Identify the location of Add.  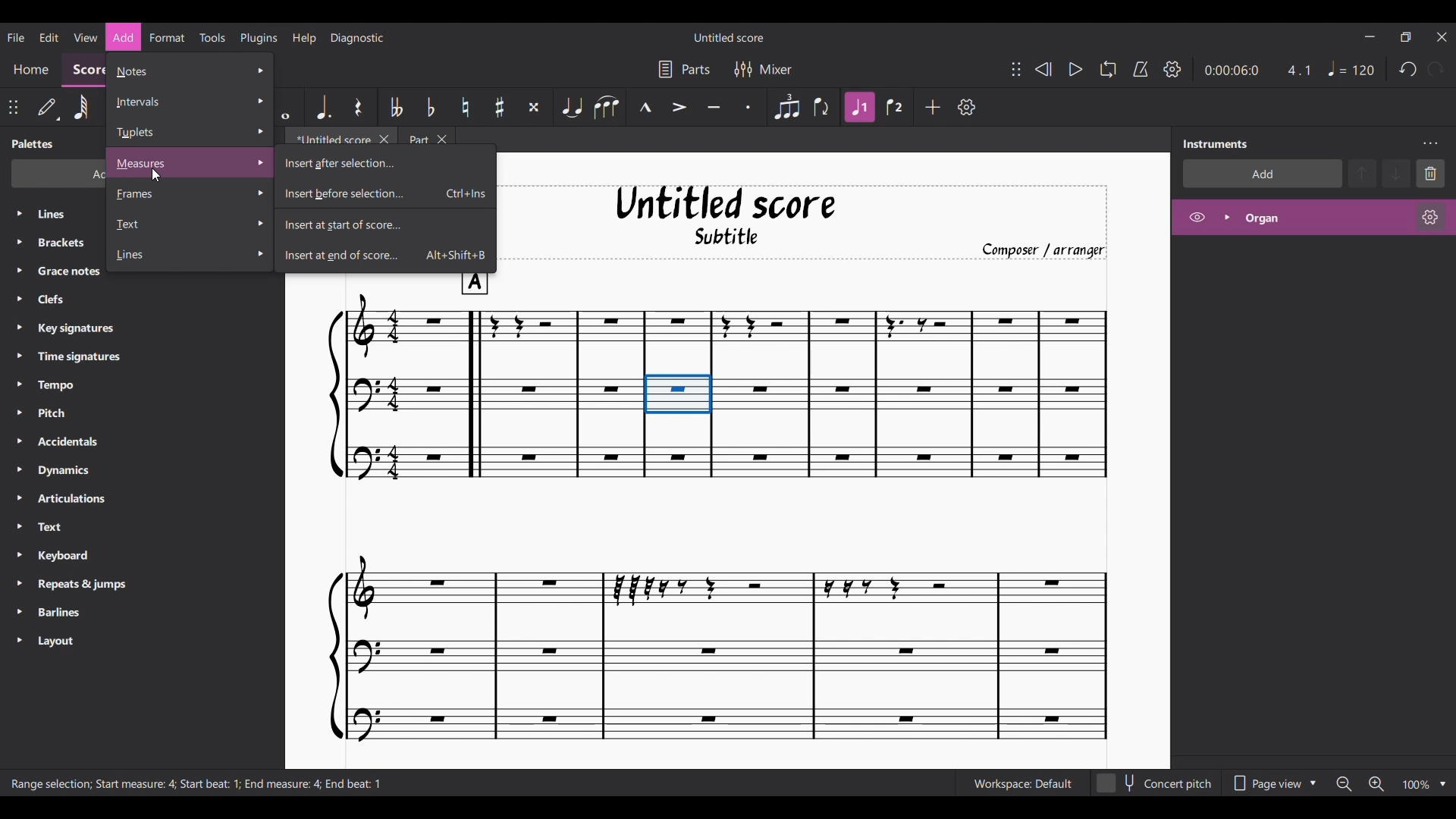
(933, 107).